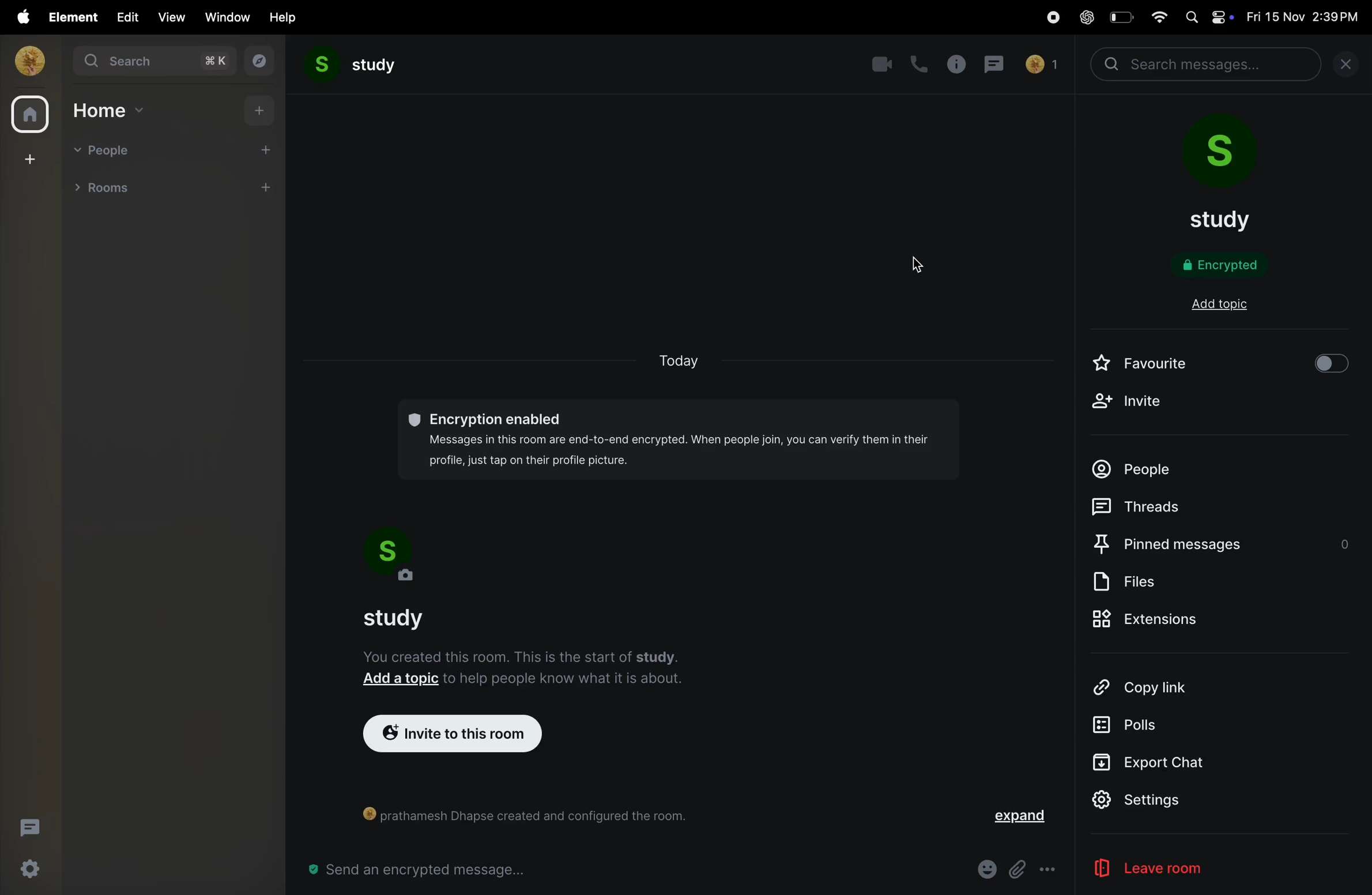 This screenshot has height=895, width=1372. What do you see at coordinates (107, 152) in the screenshot?
I see `people` at bounding box center [107, 152].